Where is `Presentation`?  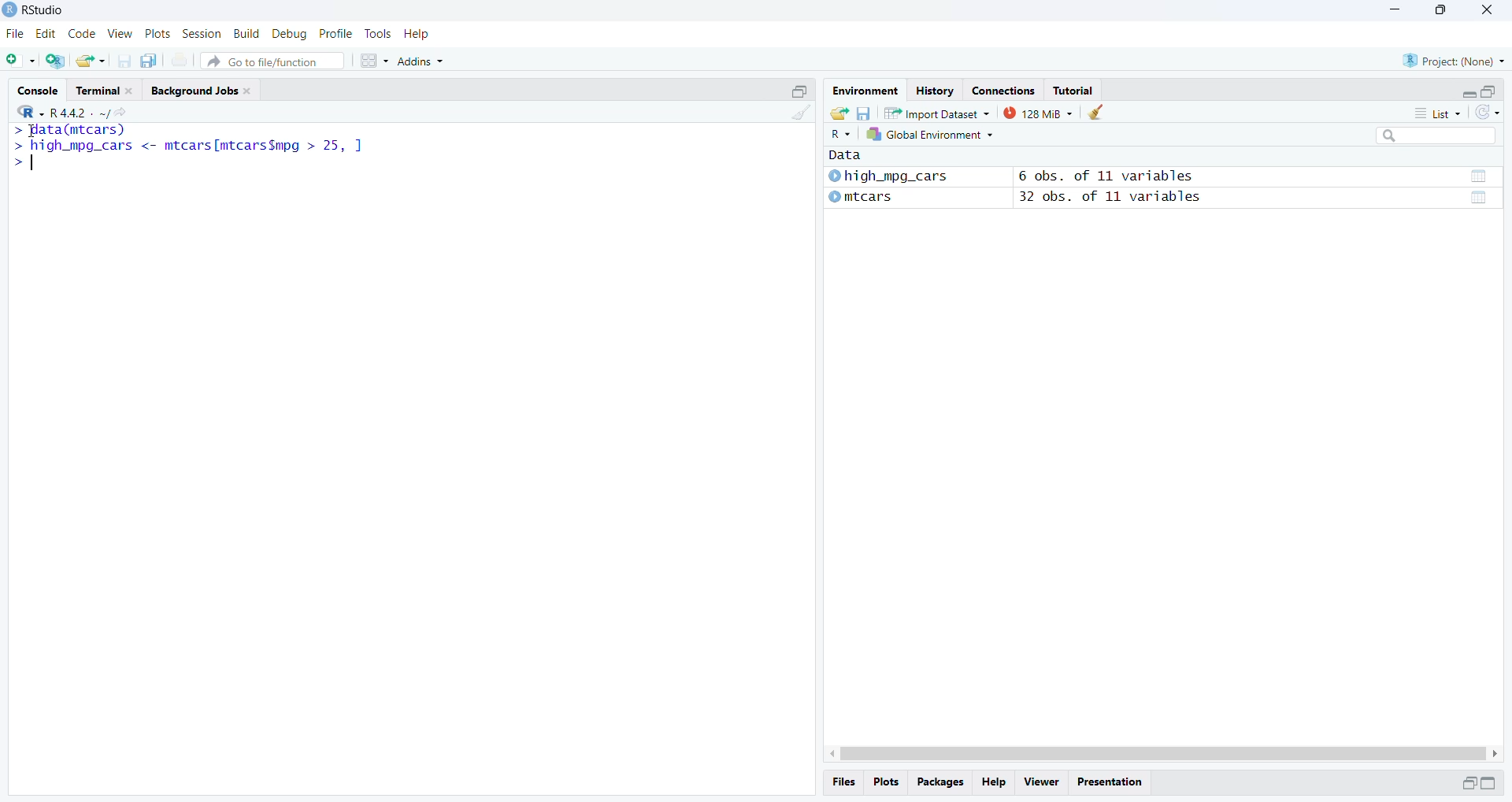 Presentation is located at coordinates (1109, 782).